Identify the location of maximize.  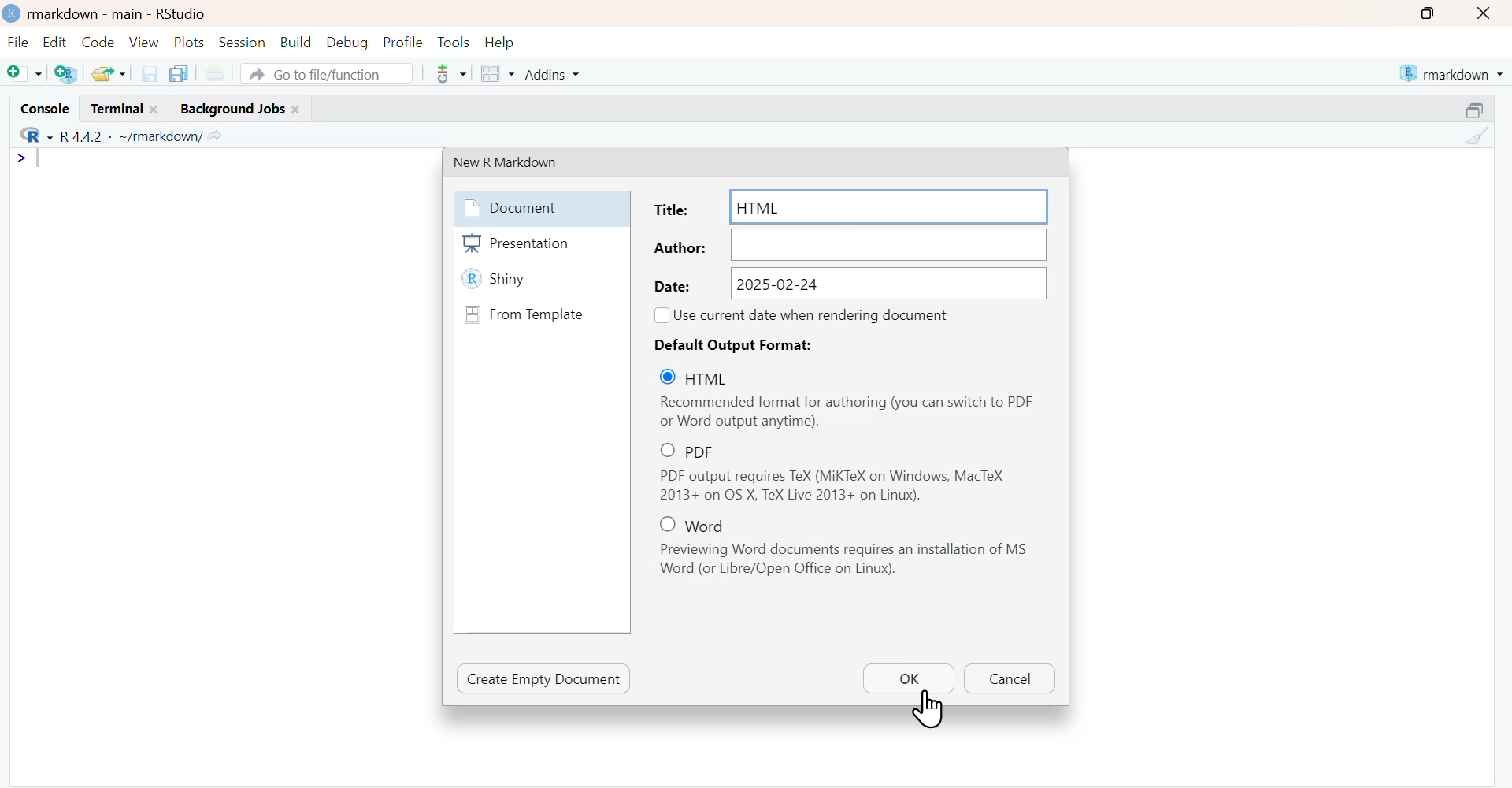
(1476, 109).